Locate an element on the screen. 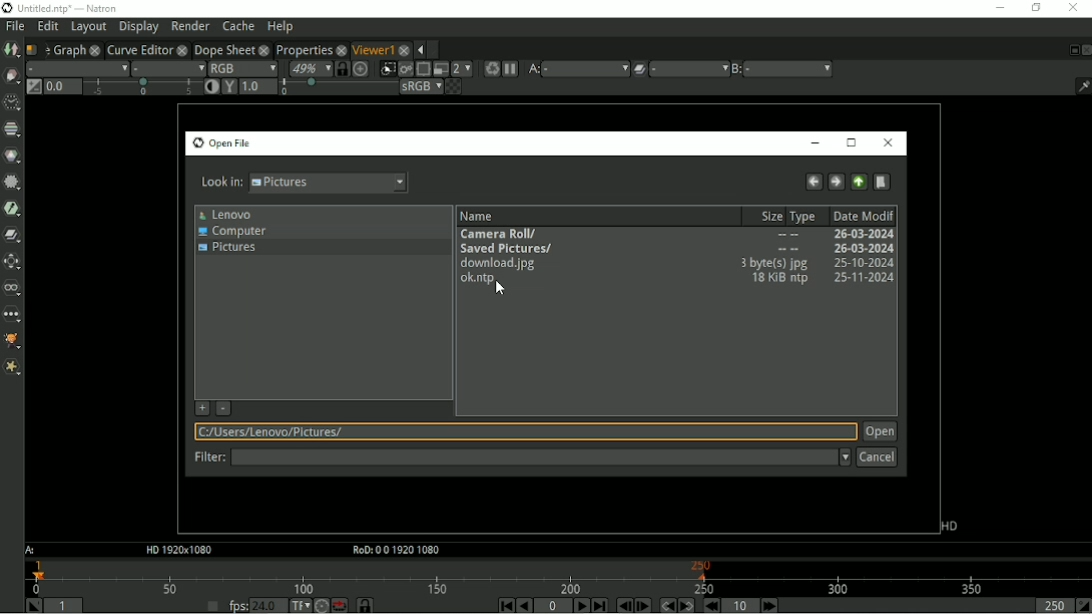  Layout is located at coordinates (88, 27).